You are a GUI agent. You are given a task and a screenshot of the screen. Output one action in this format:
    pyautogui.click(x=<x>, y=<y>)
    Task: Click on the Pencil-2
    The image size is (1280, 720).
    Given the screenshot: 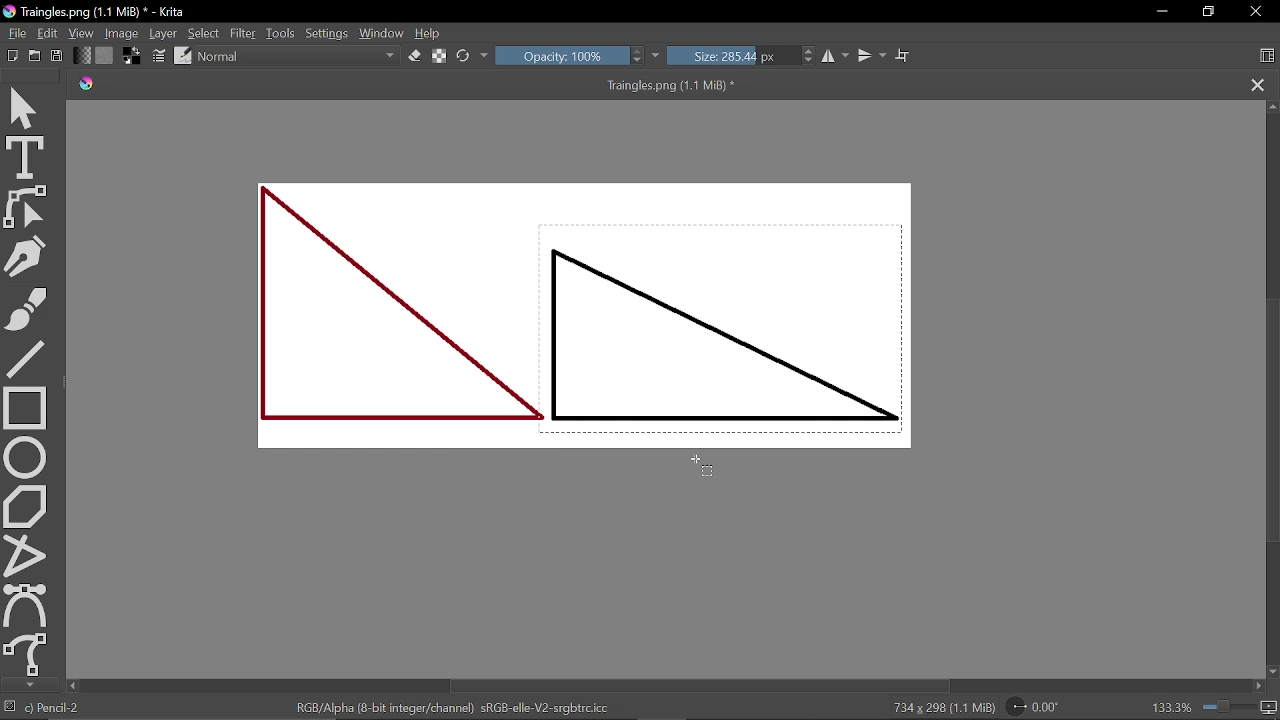 What is the action you would take?
    pyautogui.click(x=57, y=708)
    